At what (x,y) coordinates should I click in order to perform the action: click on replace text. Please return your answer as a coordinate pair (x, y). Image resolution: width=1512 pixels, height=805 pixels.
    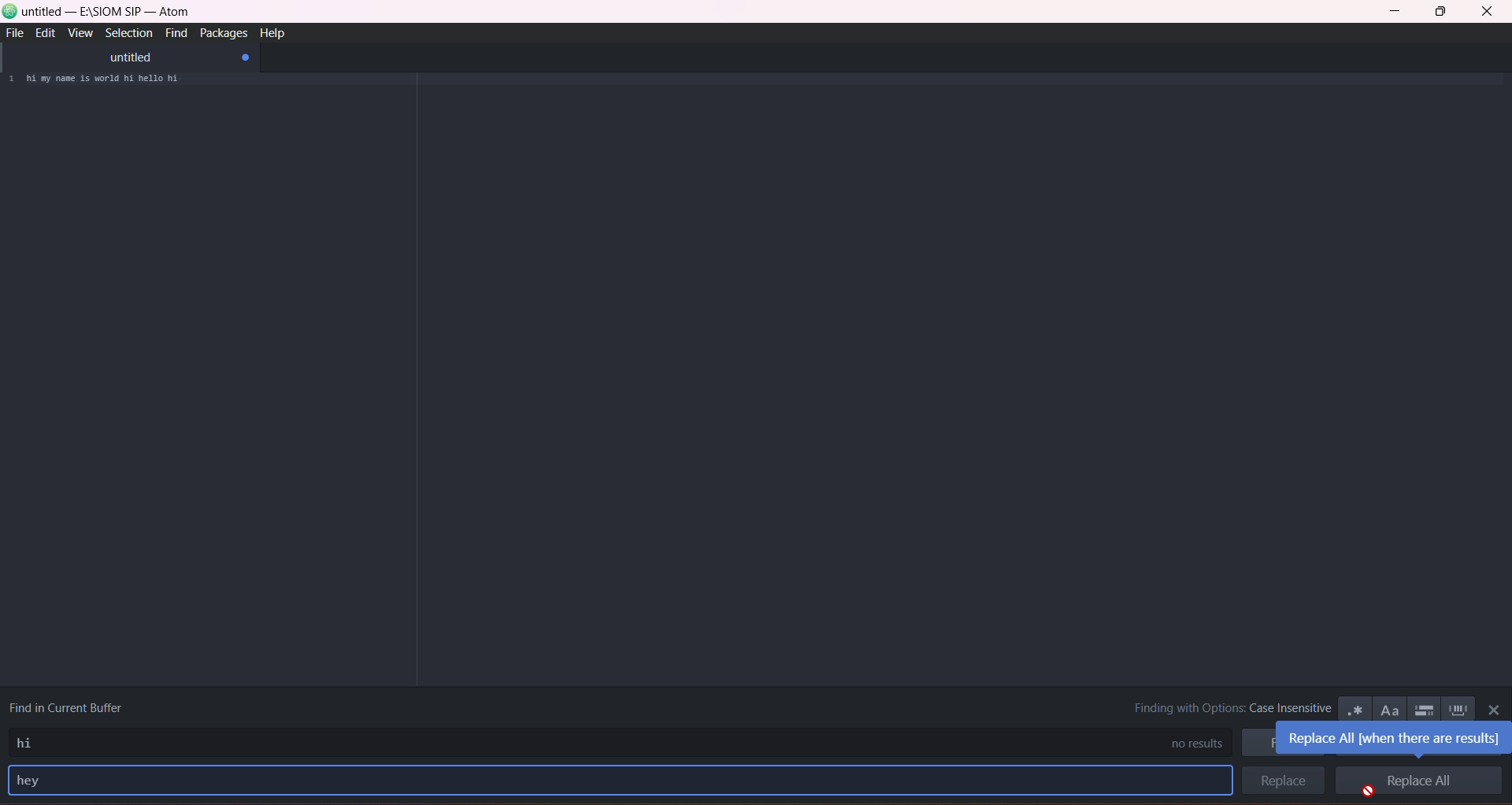
    Looking at the image, I should click on (38, 781).